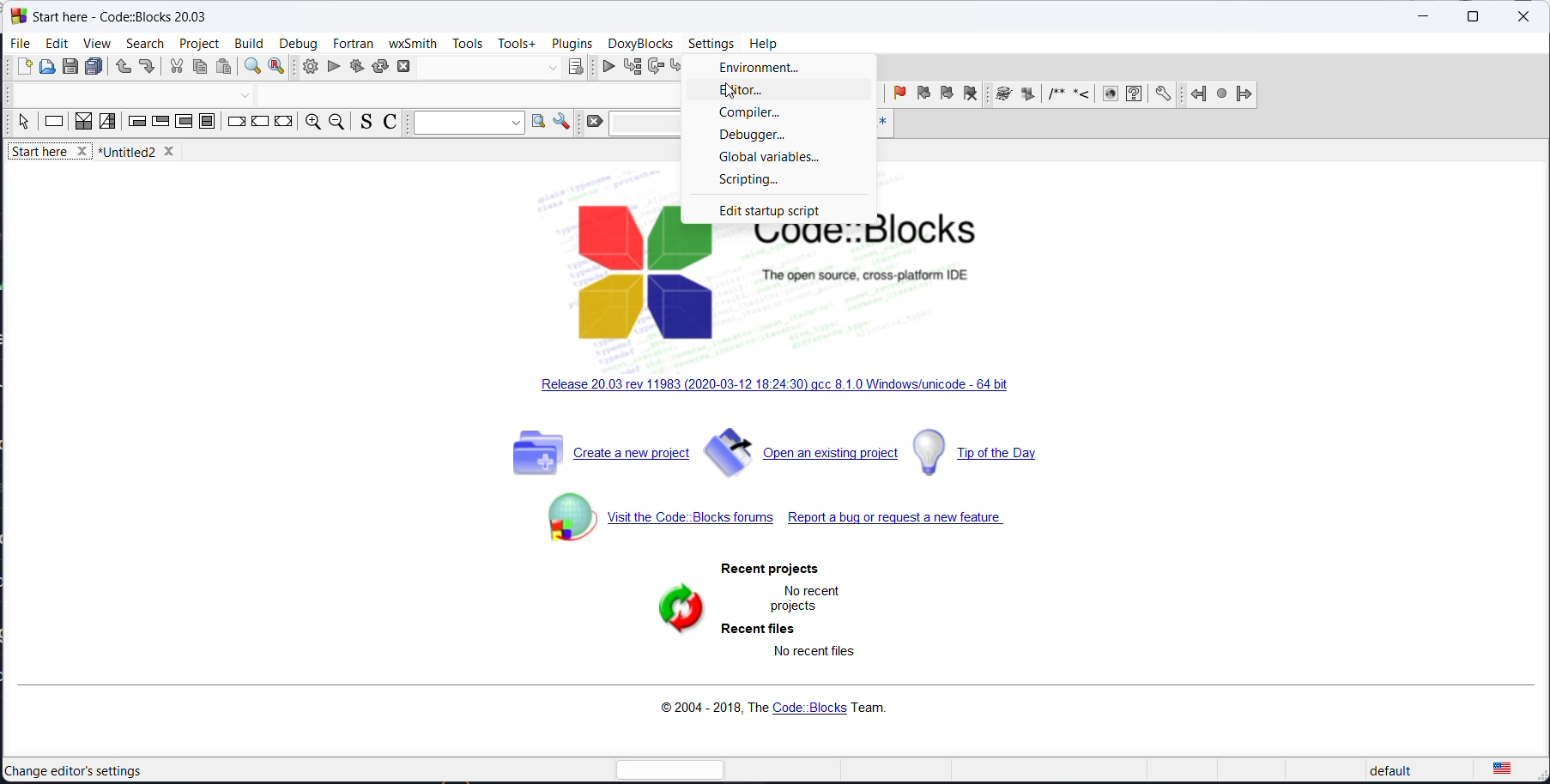 The height and width of the screenshot is (784, 1550). I want to click on forum, so click(651, 525).